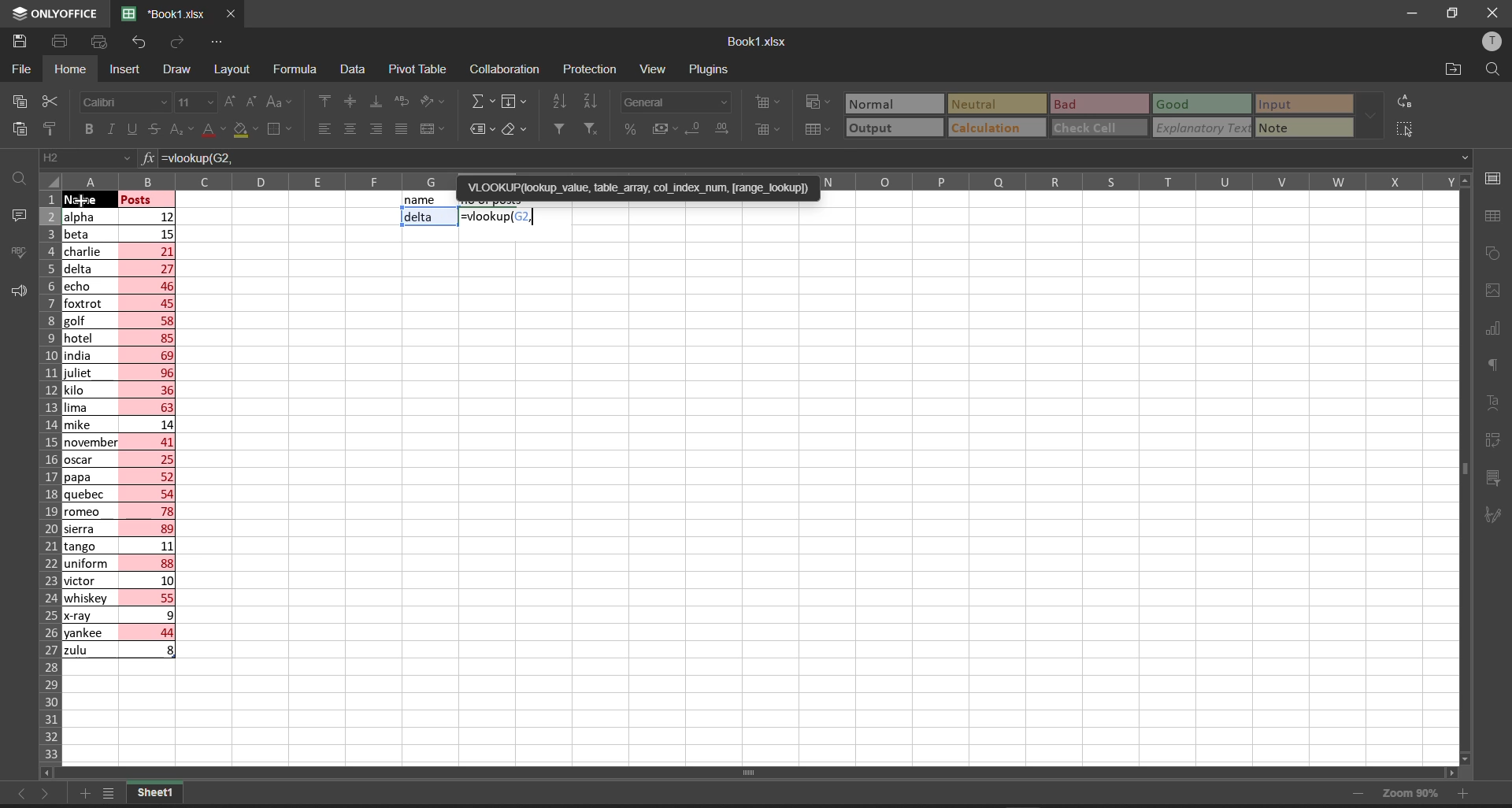 This screenshot has height=808, width=1512. Describe the element at coordinates (196, 102) in the screenshot. I see `font size` at that location.